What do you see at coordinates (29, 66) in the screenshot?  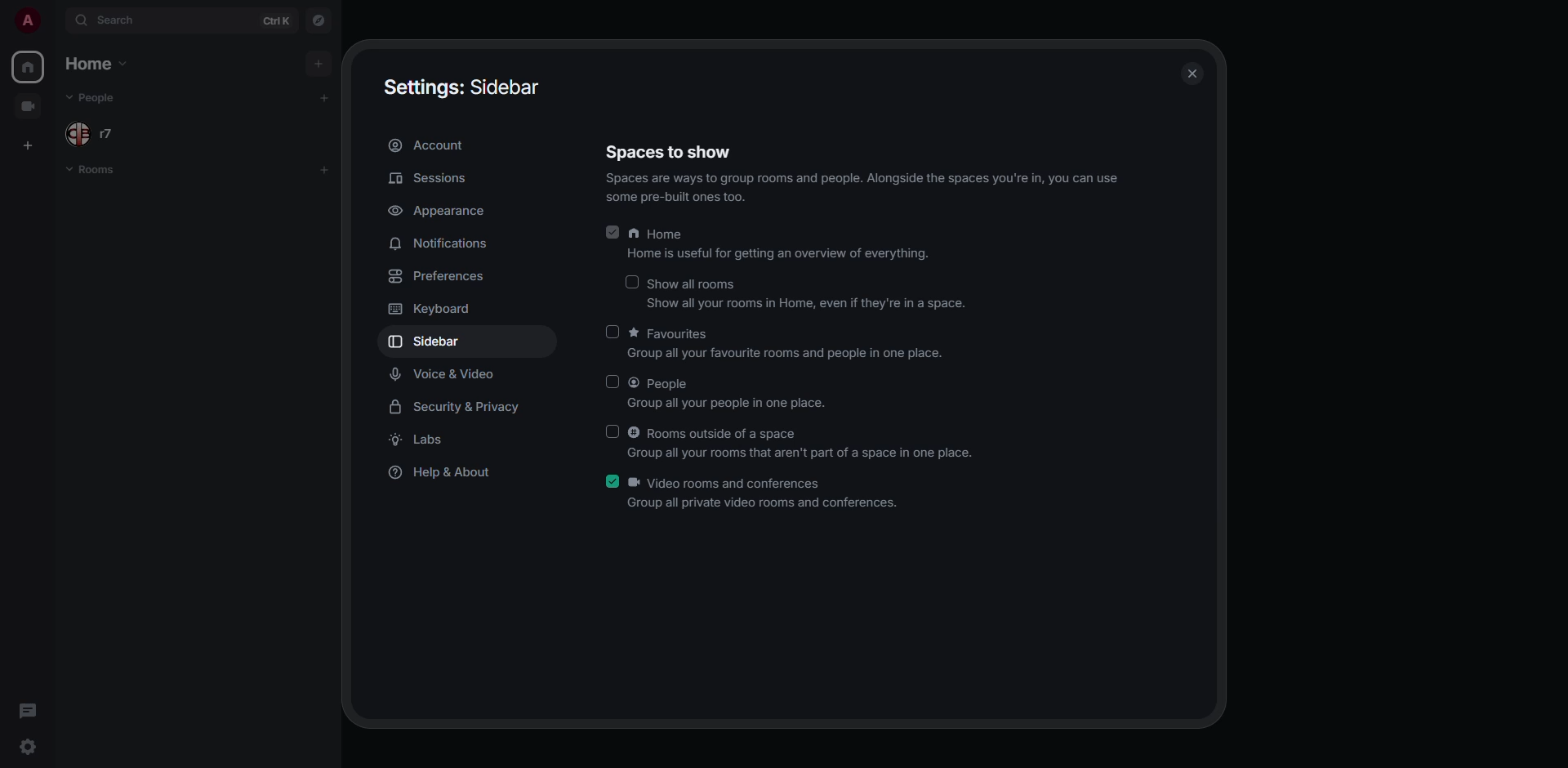 I see `home` at bounding box center [29, 66].